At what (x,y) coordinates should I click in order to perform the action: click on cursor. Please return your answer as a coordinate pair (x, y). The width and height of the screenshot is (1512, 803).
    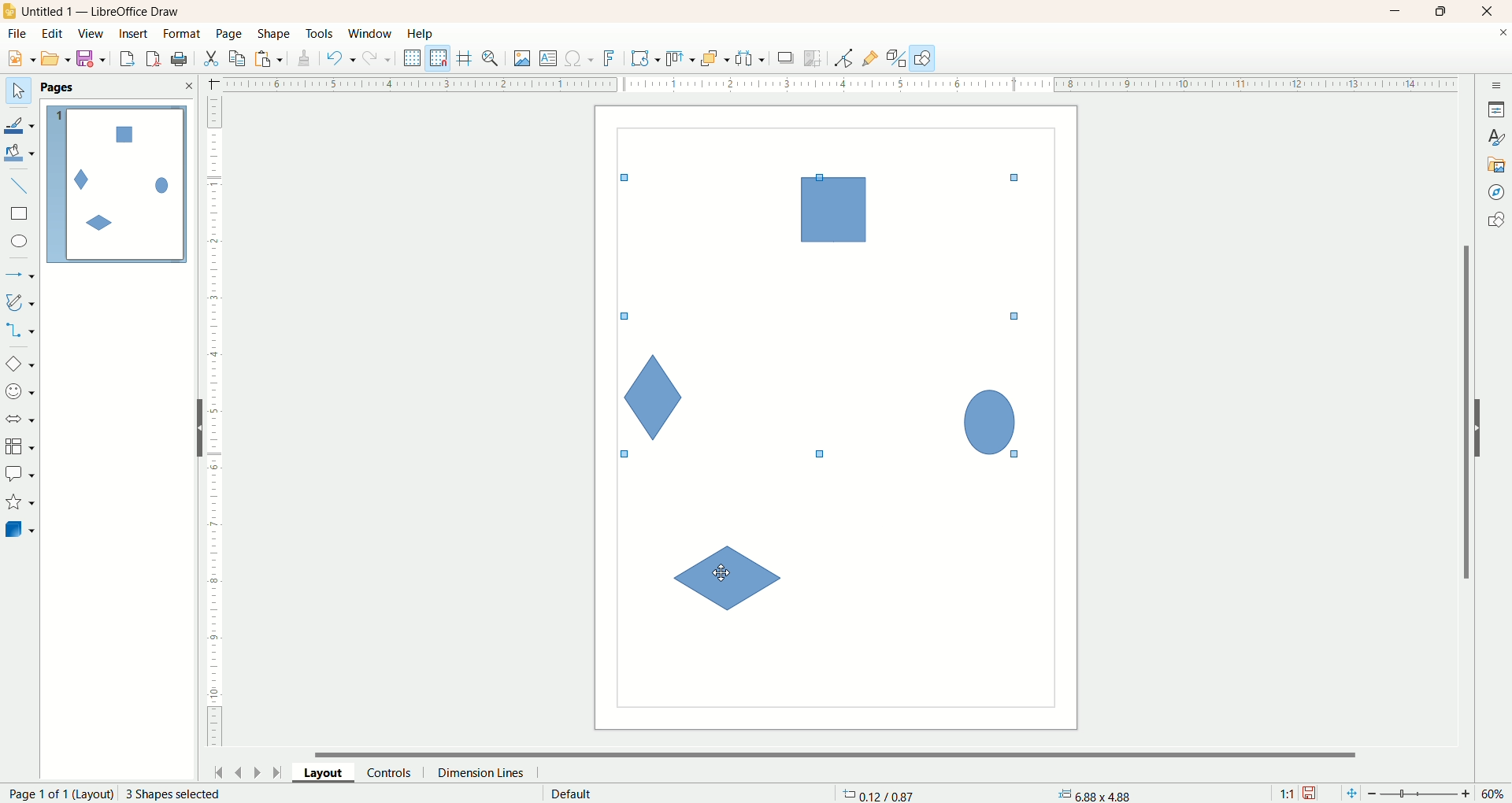
    Looking at the image, I should click on (722, 572).